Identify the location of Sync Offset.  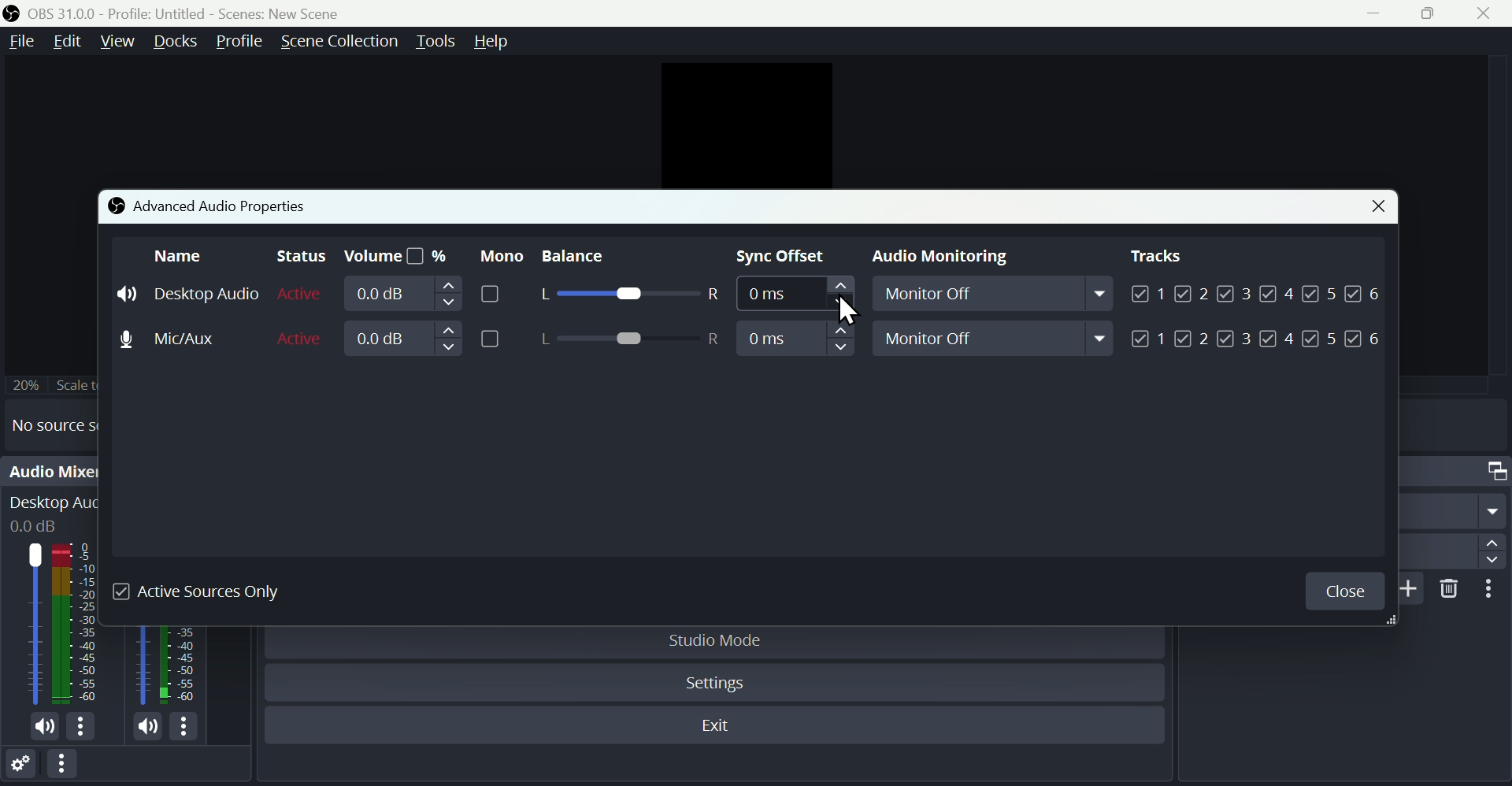
(793, 296).